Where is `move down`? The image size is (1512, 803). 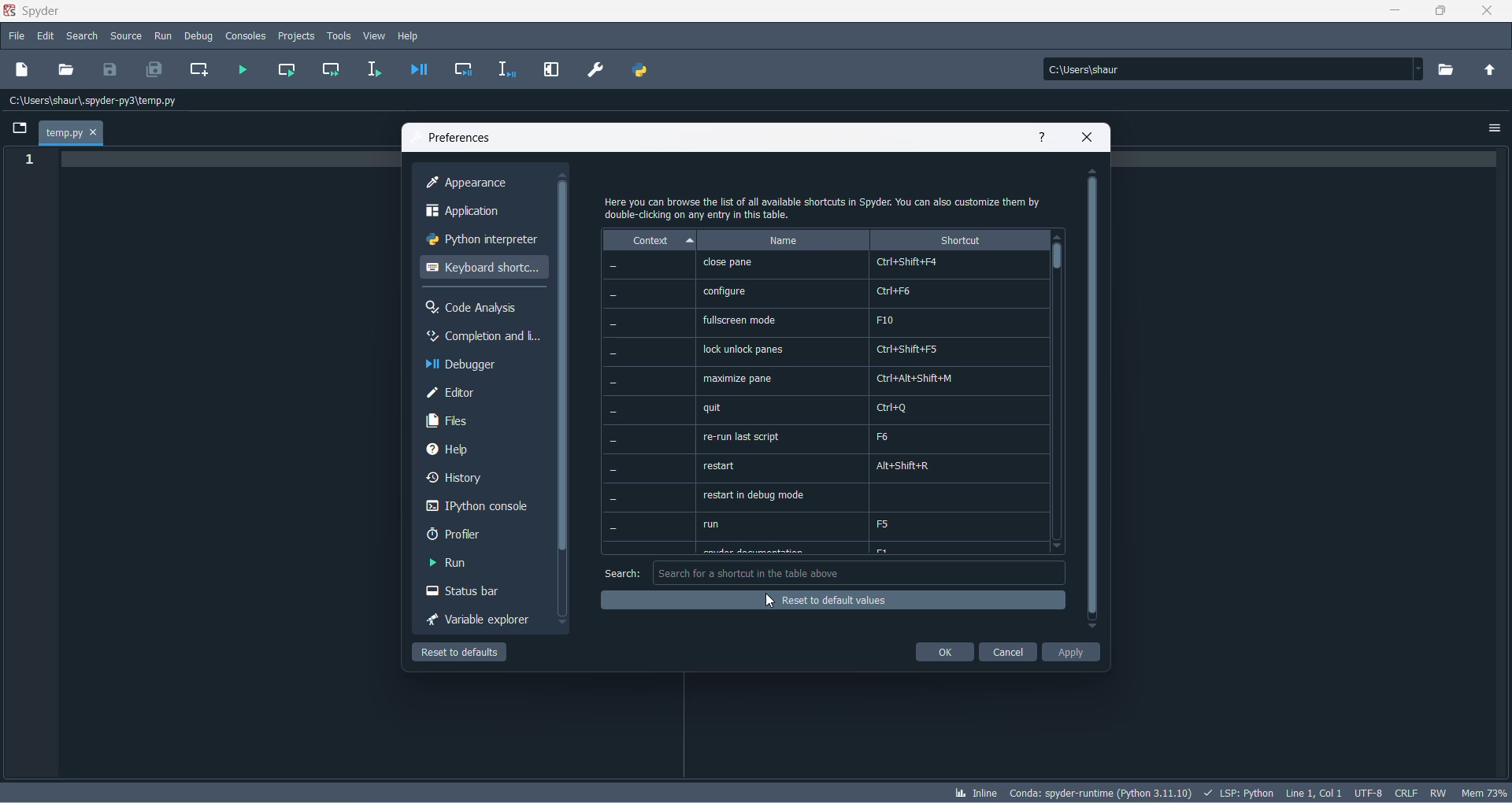
move down is located at coordinates (561, 623).